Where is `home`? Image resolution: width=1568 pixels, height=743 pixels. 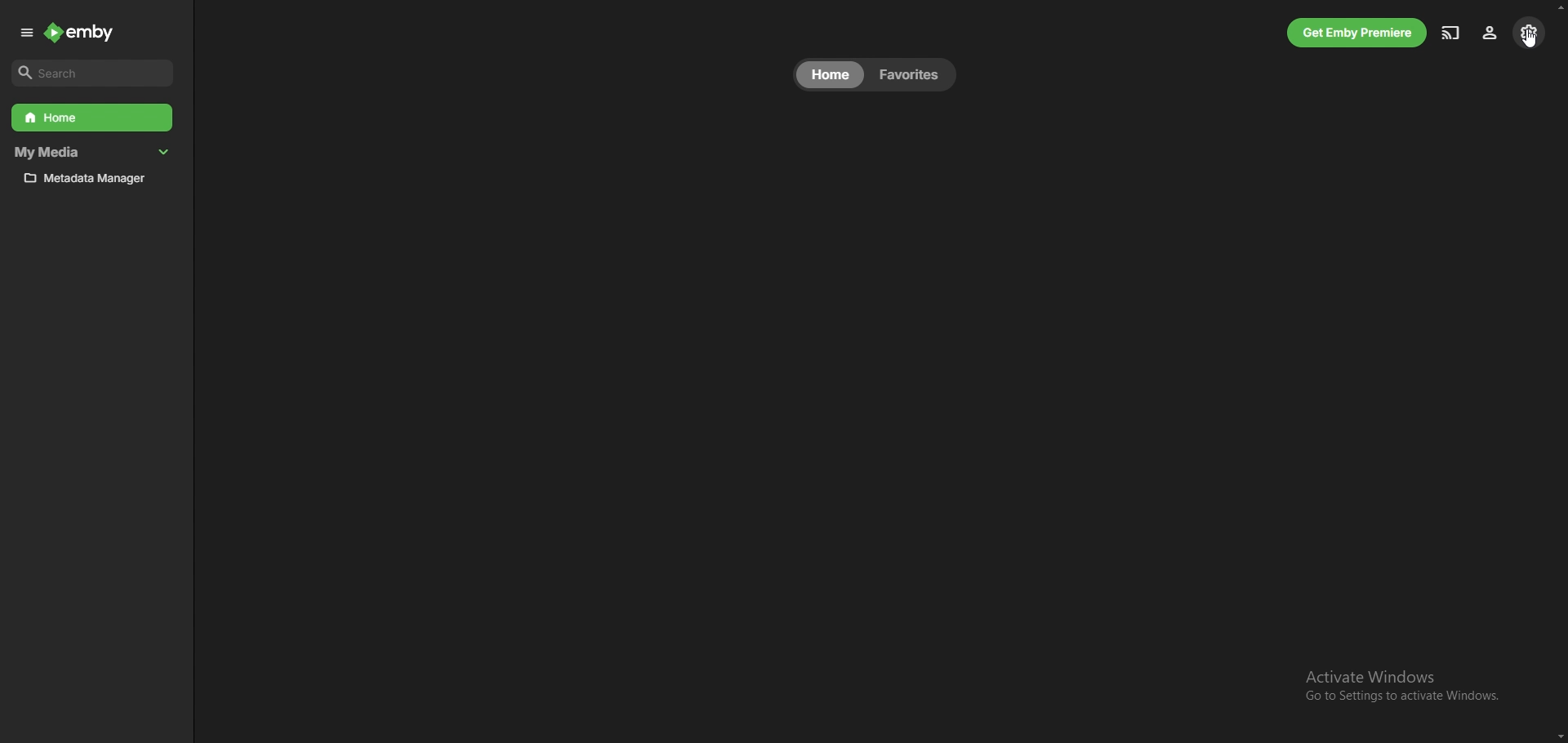 home is located at coordinates (93, 118).